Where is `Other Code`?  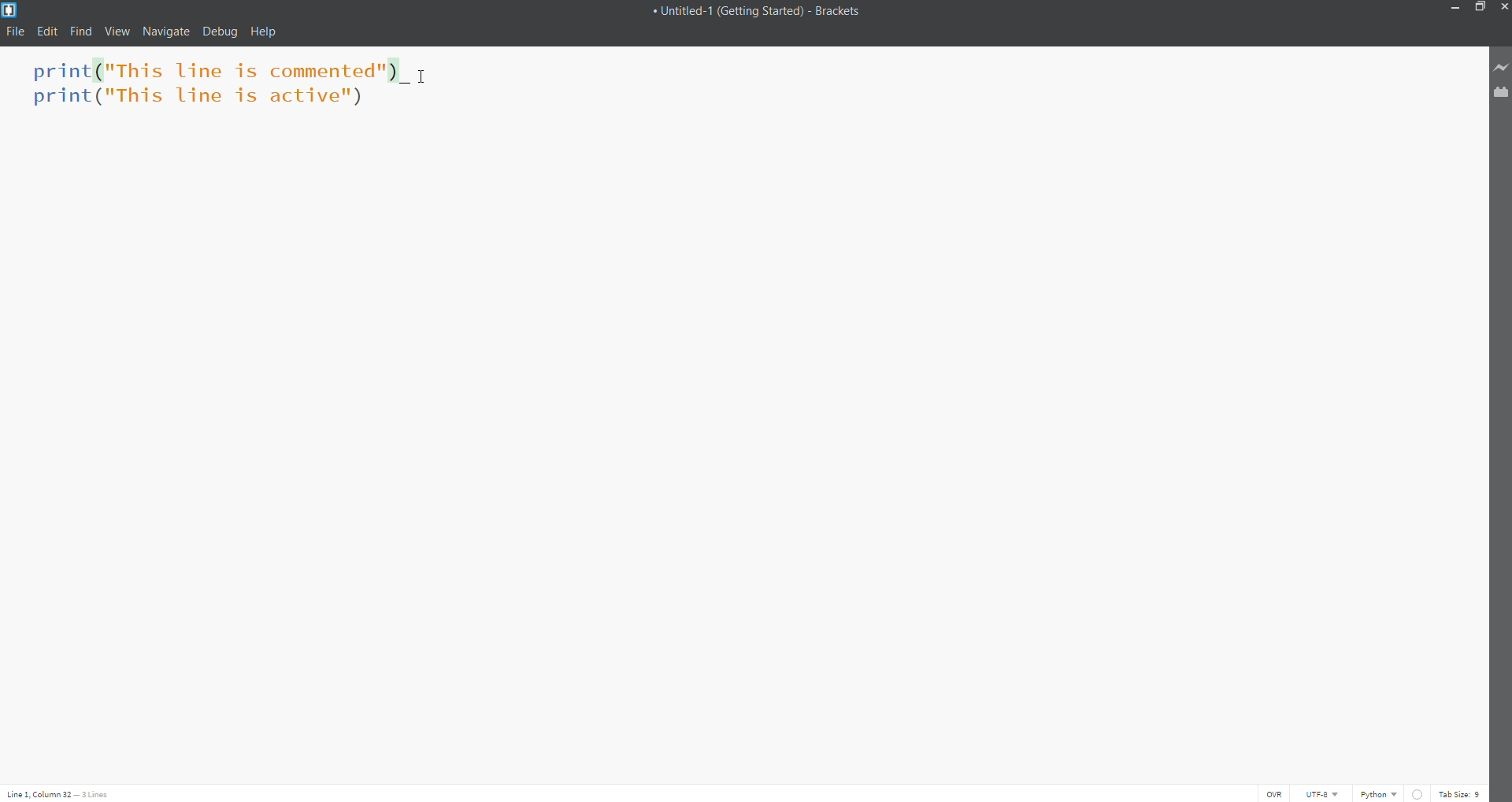 Other Code is located at coordinates (203, 99).